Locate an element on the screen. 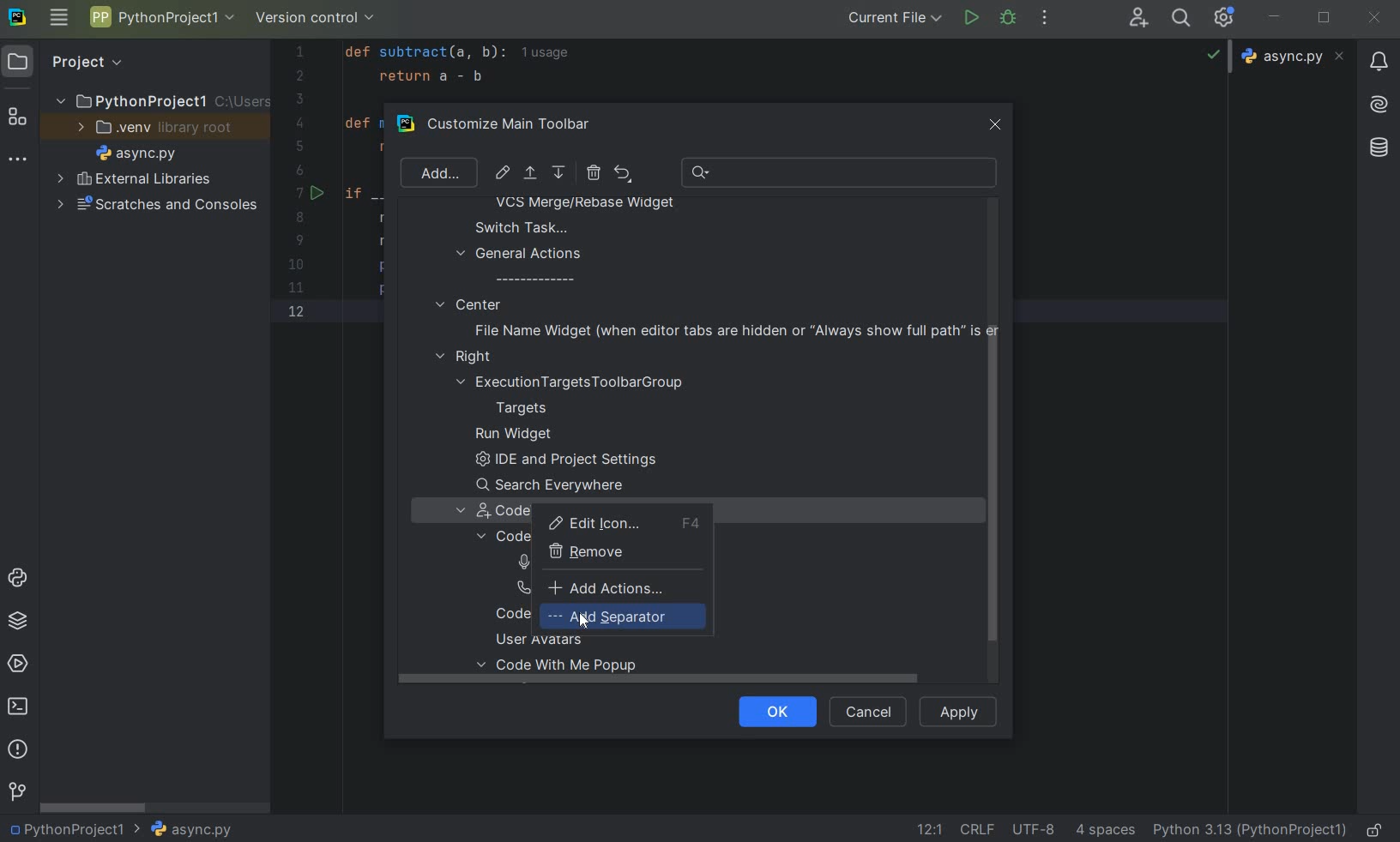 This screenshot has height=842, width=1400. EDIT ICON is located at coordinates (503, 172).